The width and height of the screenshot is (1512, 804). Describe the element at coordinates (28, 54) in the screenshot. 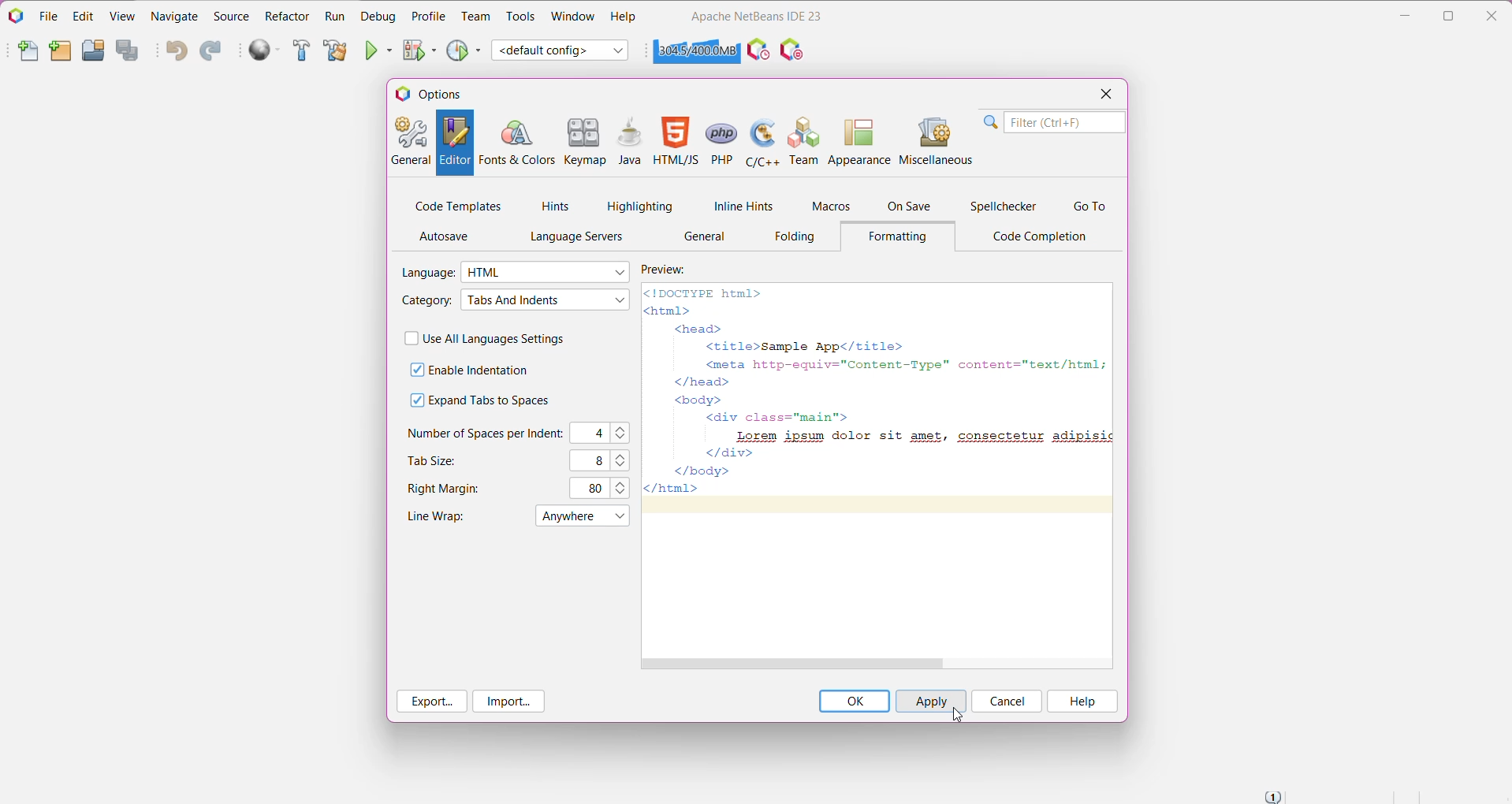

I see `New File` at that location.